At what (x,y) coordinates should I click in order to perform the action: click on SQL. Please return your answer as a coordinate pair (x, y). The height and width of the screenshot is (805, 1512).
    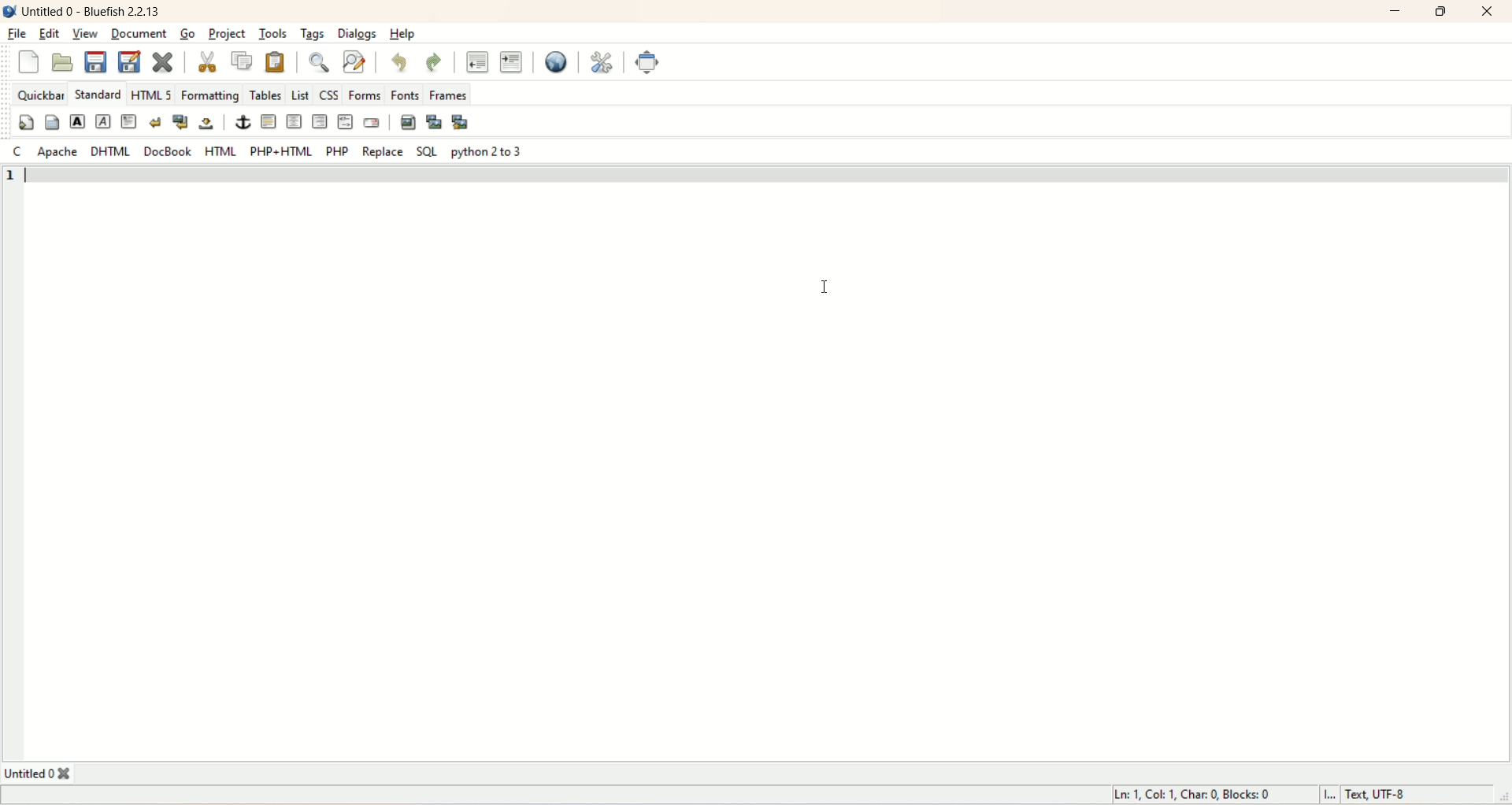
    Looking at the image, I should click on (424, 153).